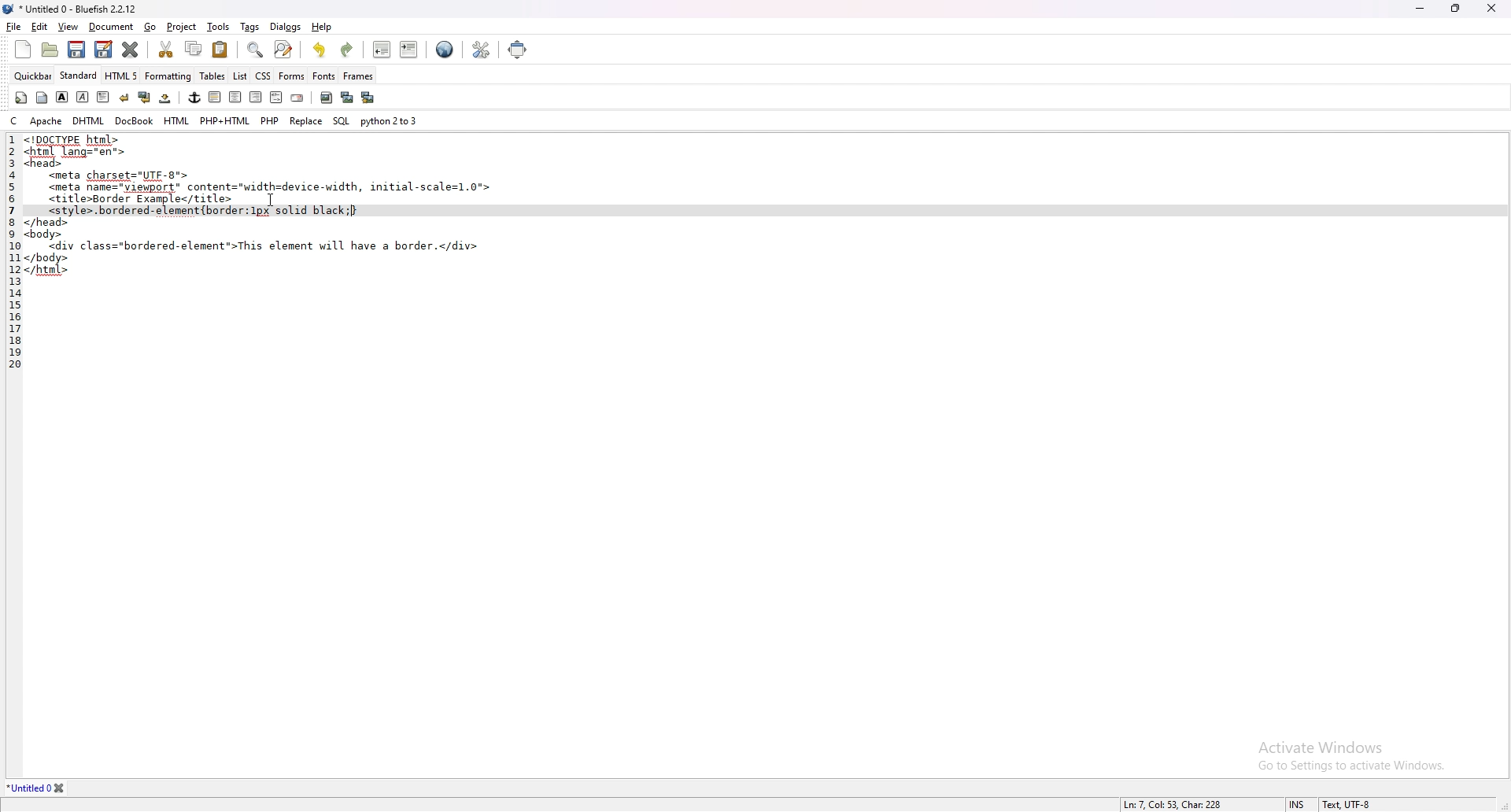 The width and height of the screenshot is (1511, 812). Describe the element at coordinates (1422, 8) in the screenshot. I see `minimize` at that location.